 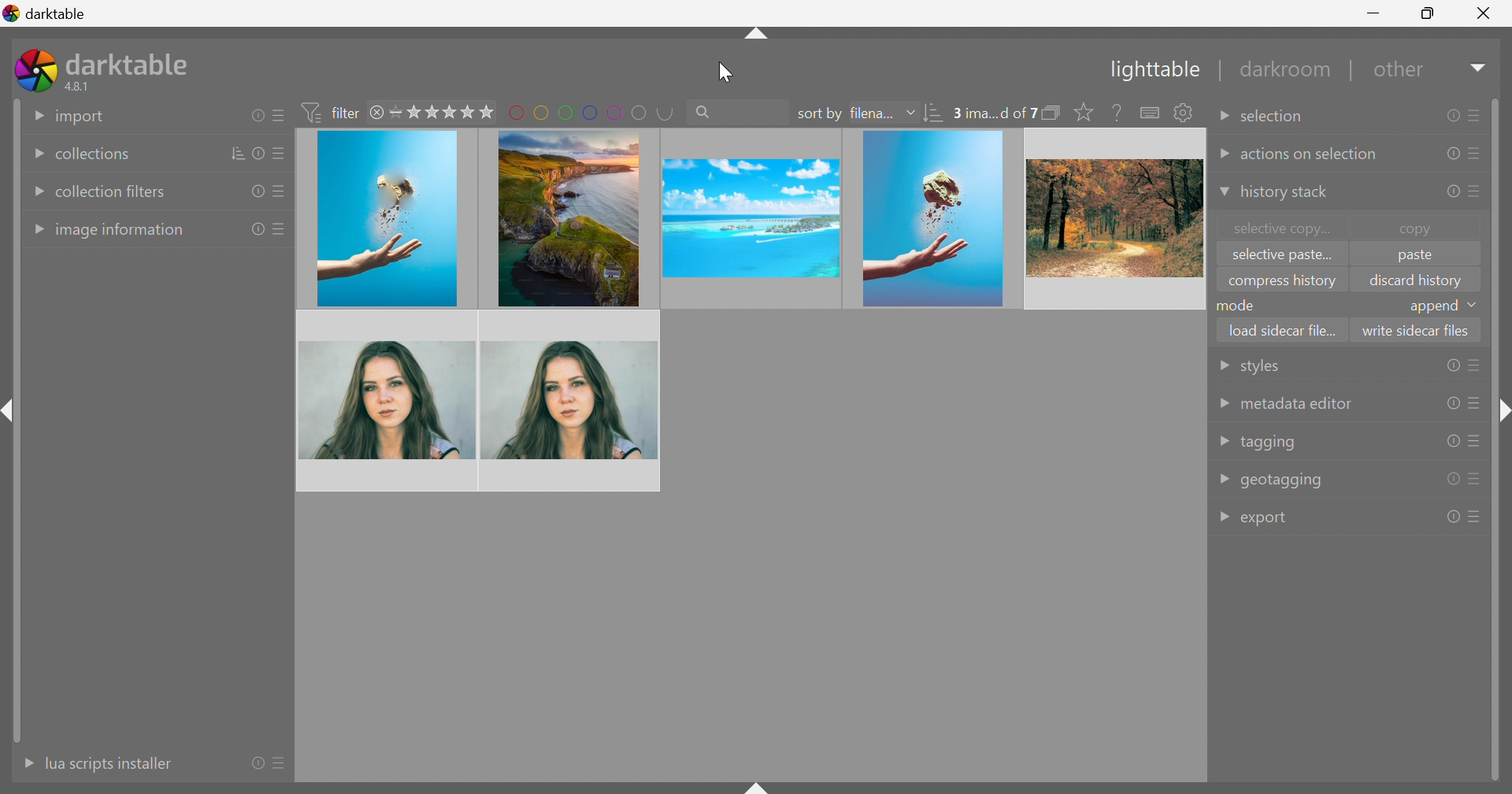 I want to click on image, so click(x=571, y=399).